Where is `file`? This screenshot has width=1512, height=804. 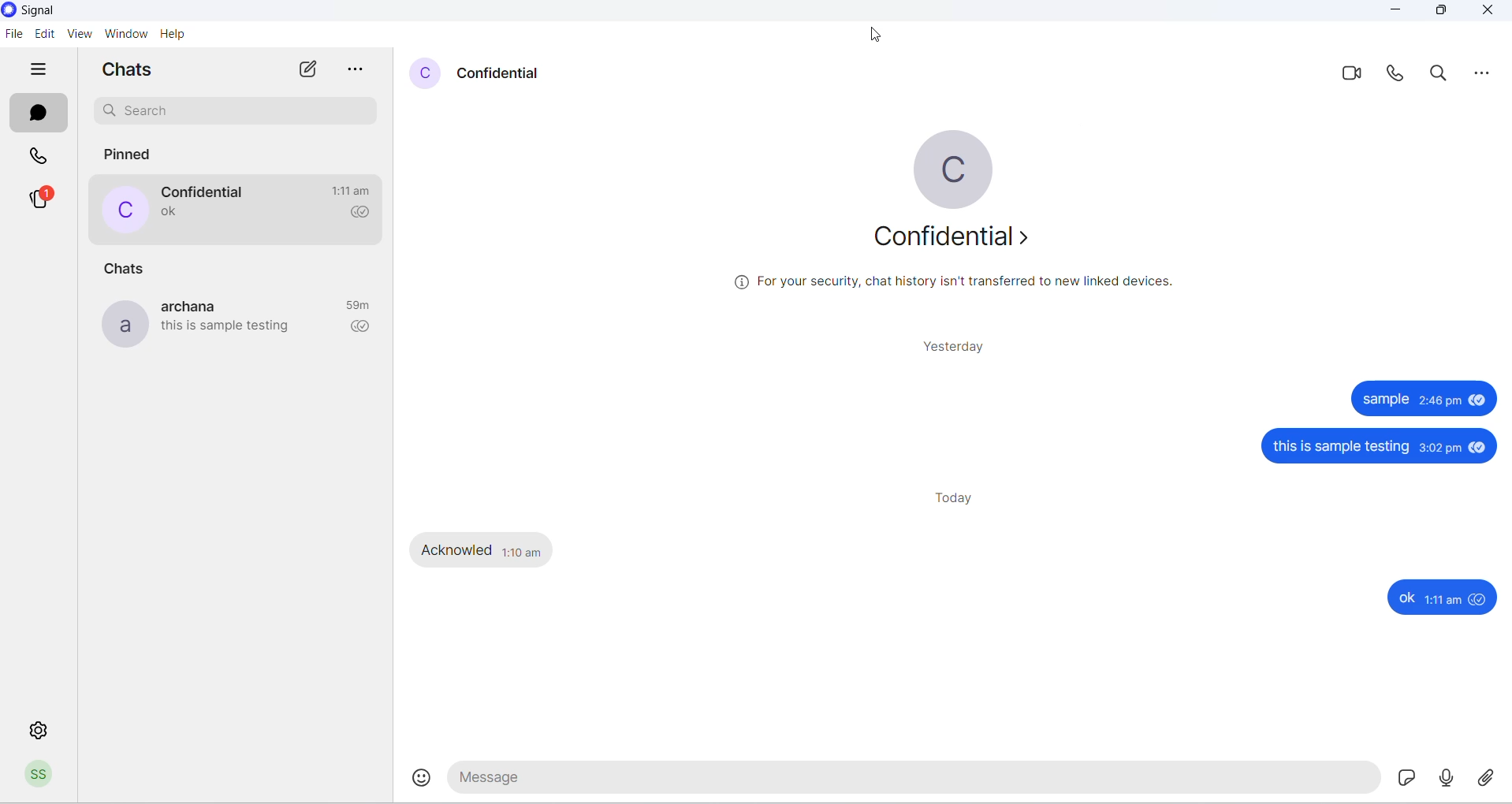 file is located at coordinates (15, 35).